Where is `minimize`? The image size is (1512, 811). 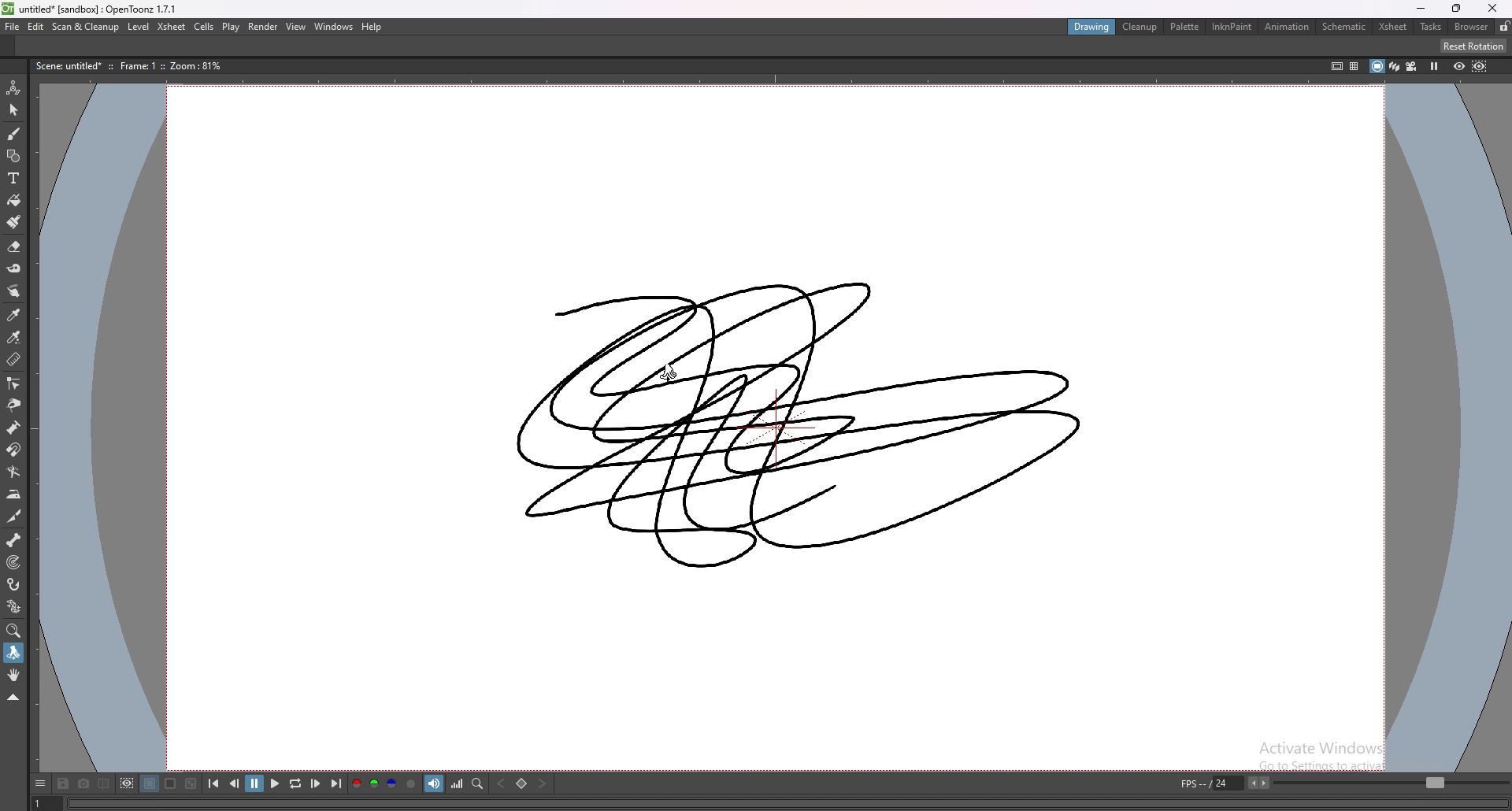 minimize is located at coordinates (1422, 9).